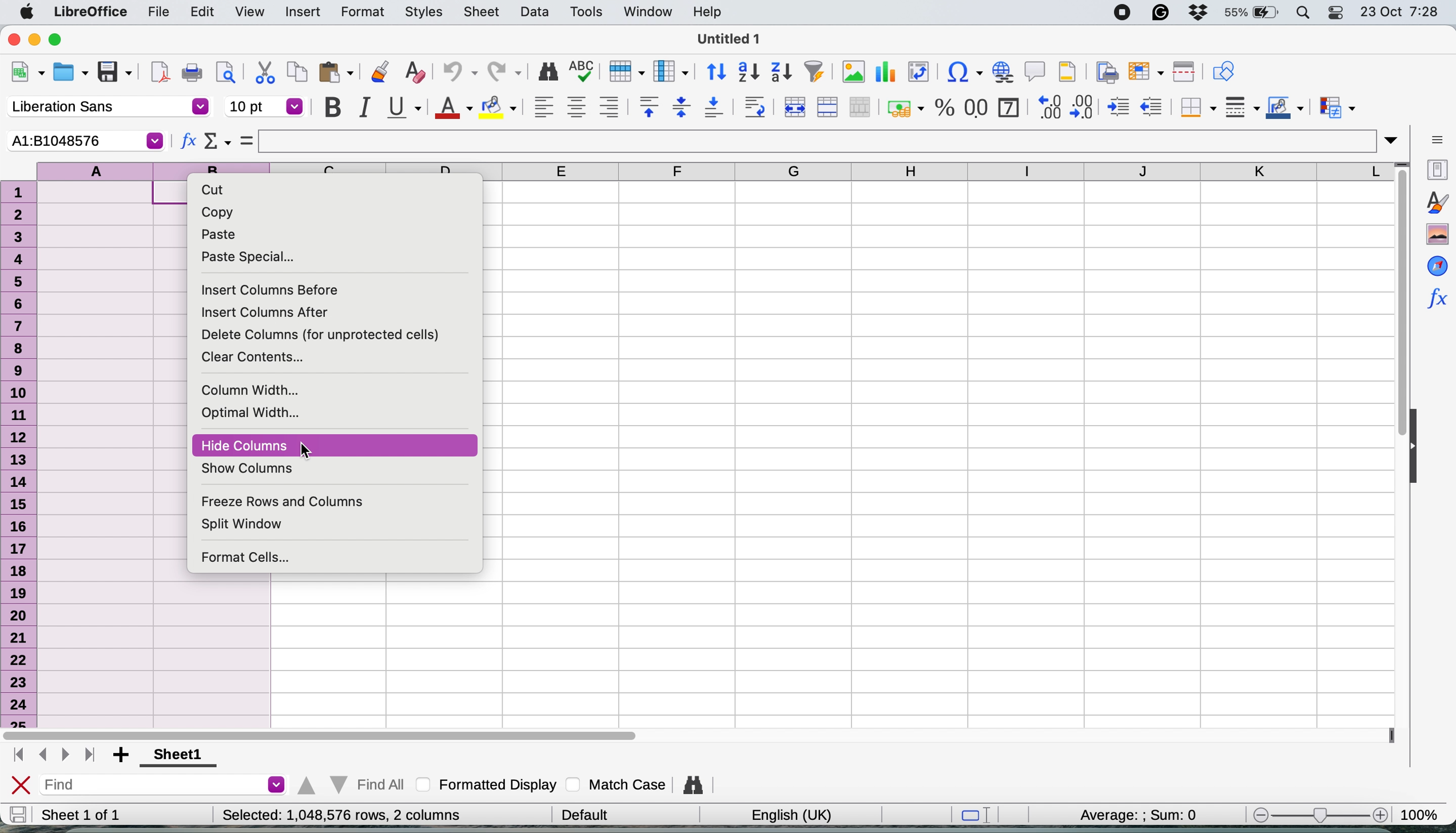 This screenshot has height=833, width=1456. I want to click on spelling, so click(582, 71).